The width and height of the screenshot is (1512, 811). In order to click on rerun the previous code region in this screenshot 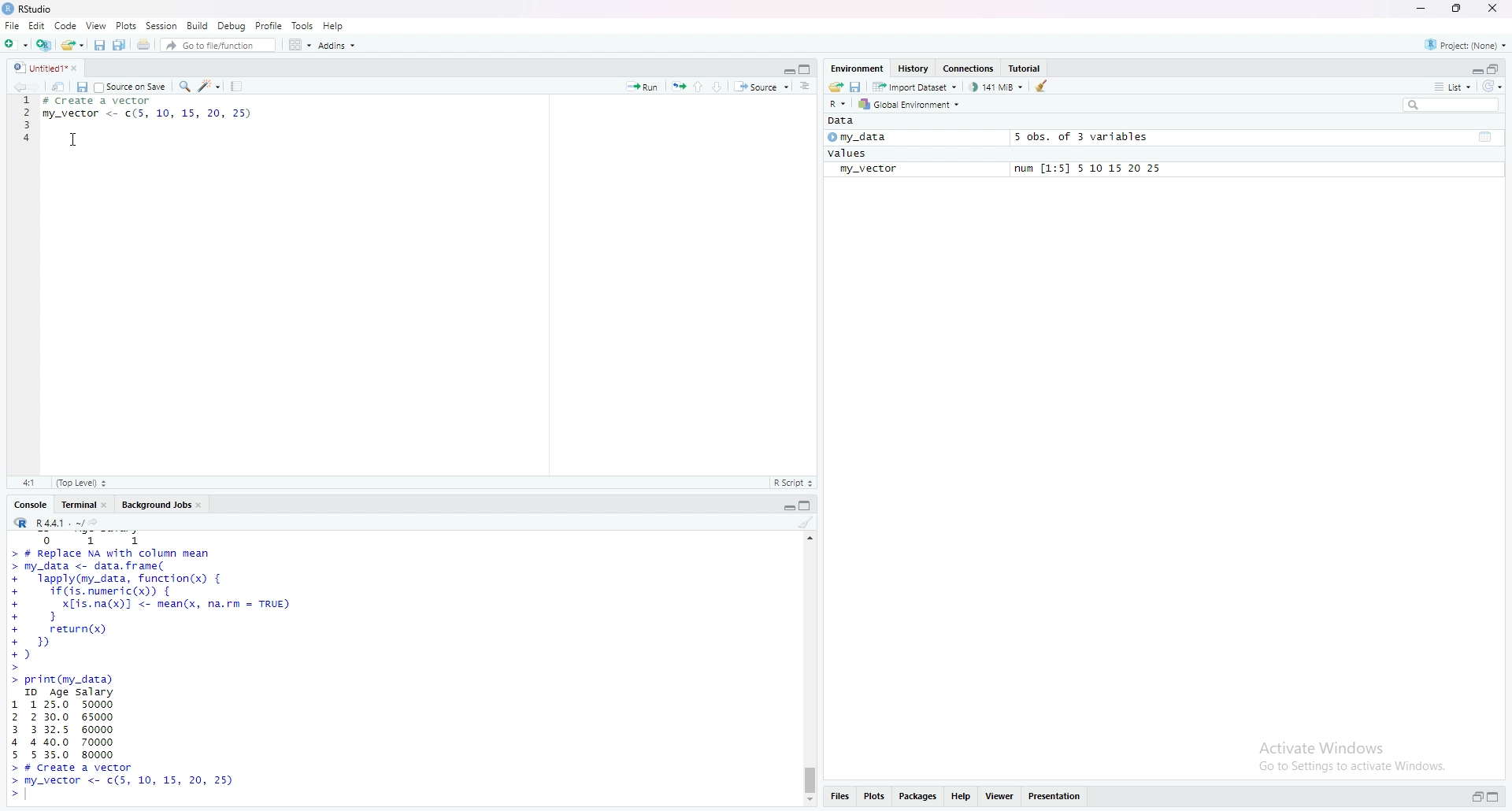, I will do `click(677, 84)`.